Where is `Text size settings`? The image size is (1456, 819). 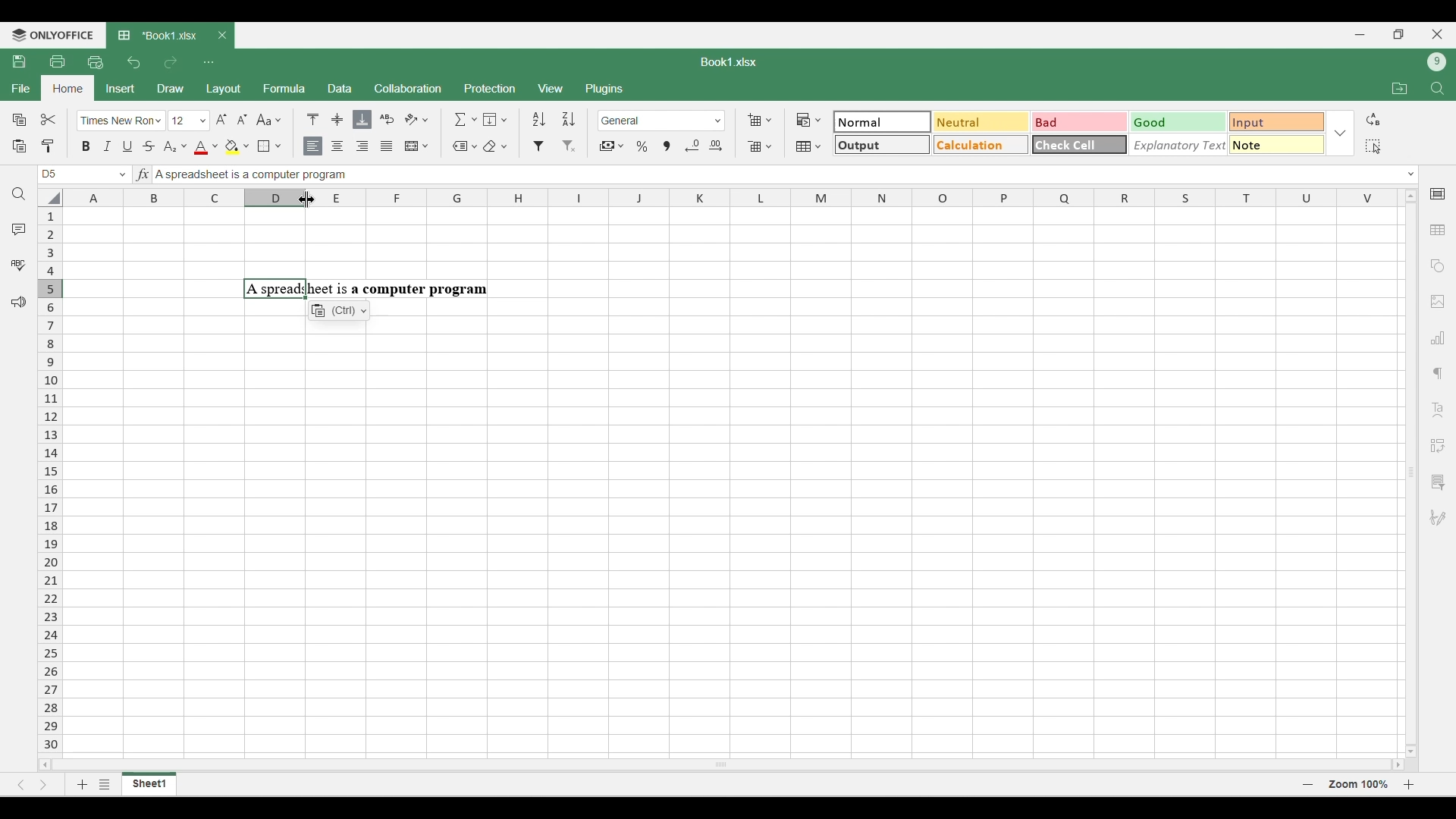 Text size settings is located at coordinates (210, 120).